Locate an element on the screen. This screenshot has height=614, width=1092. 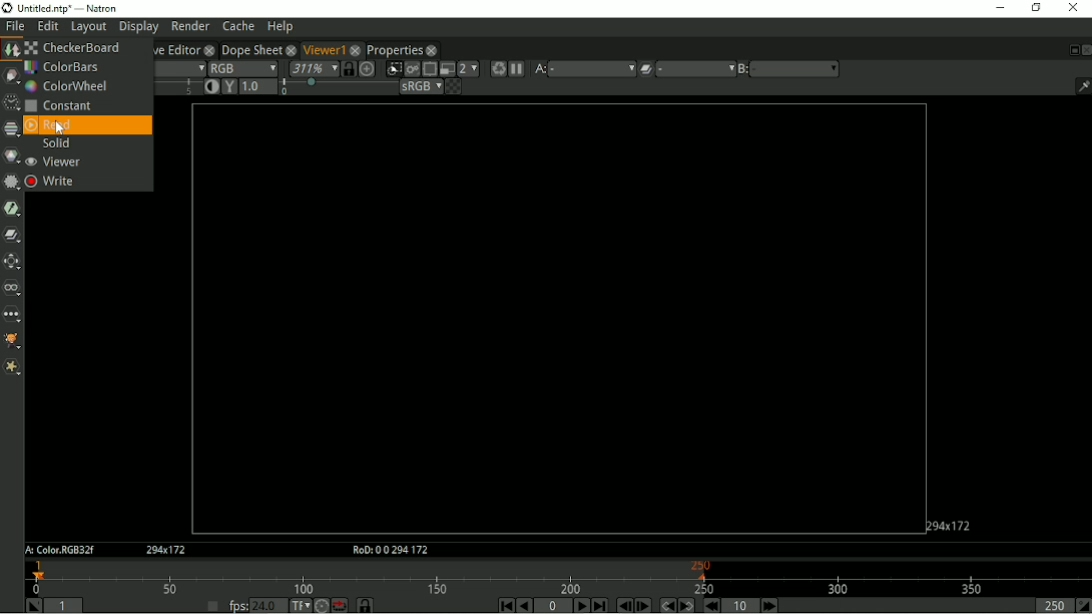
title is located at coordinates (101, 7).